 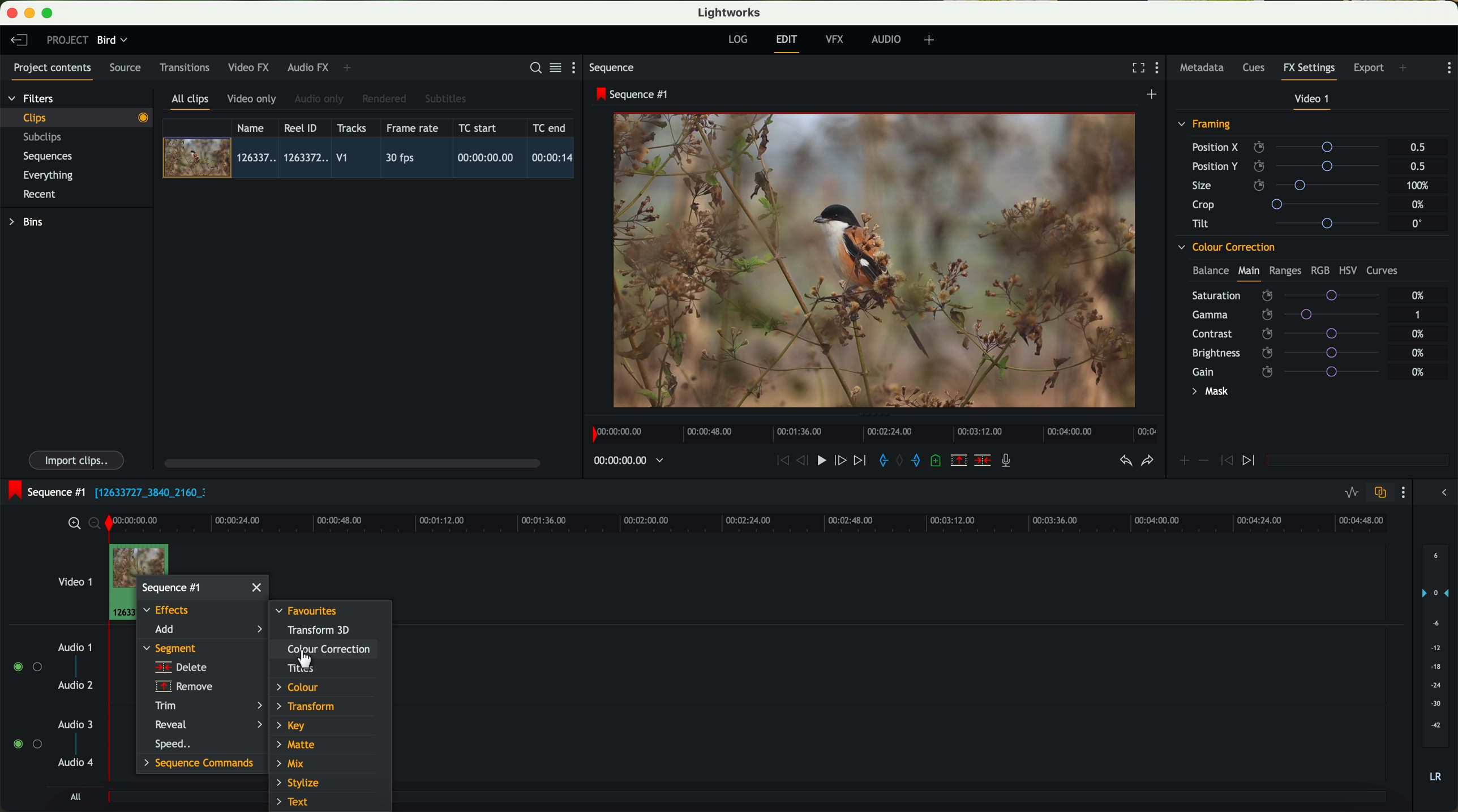 What do you see at coordinates (170, 649) in the screenshot?
I see `segment` at bounding box center [170, 649].